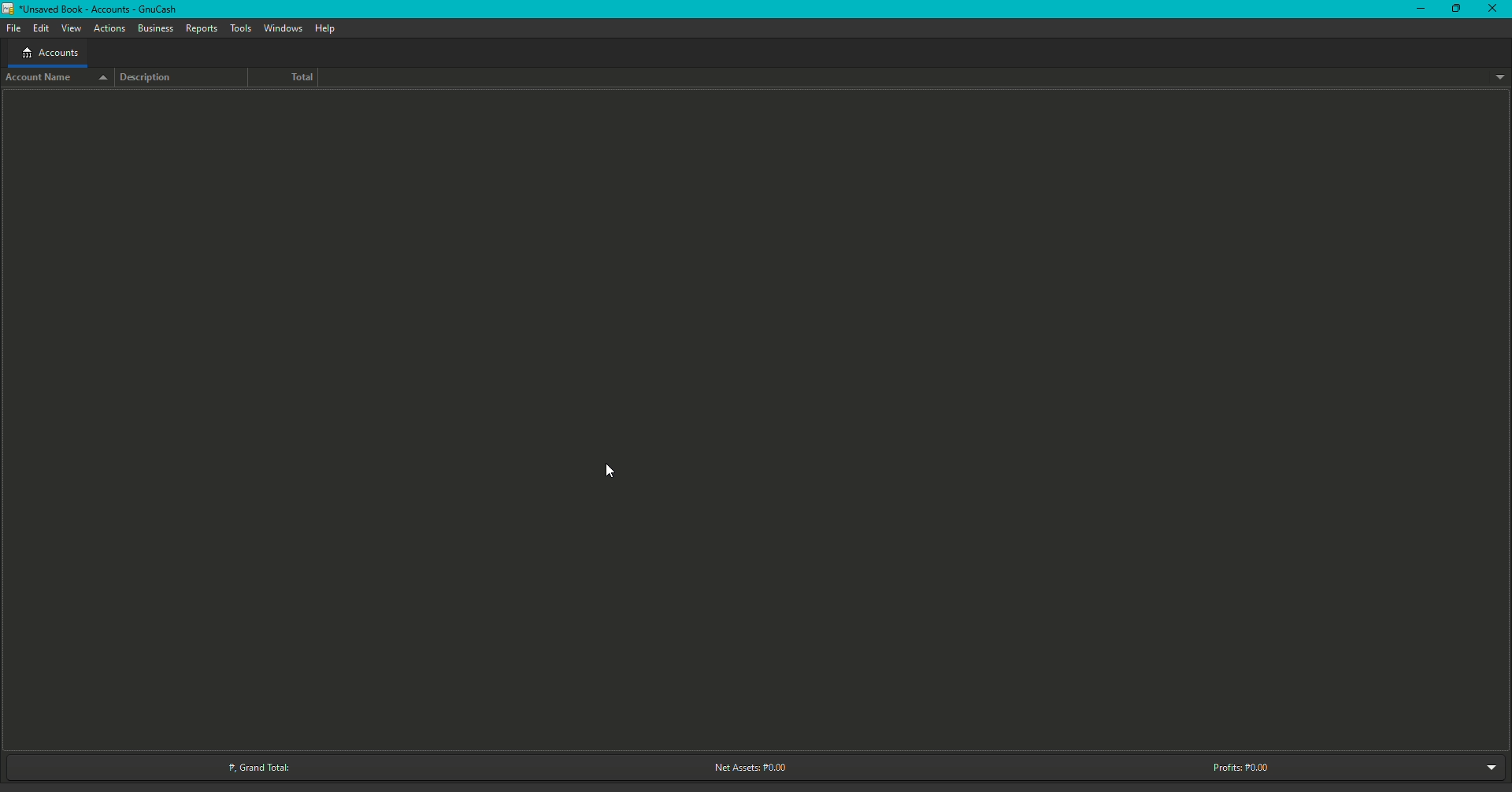  I want to click on Account Name, so click(58, 79).